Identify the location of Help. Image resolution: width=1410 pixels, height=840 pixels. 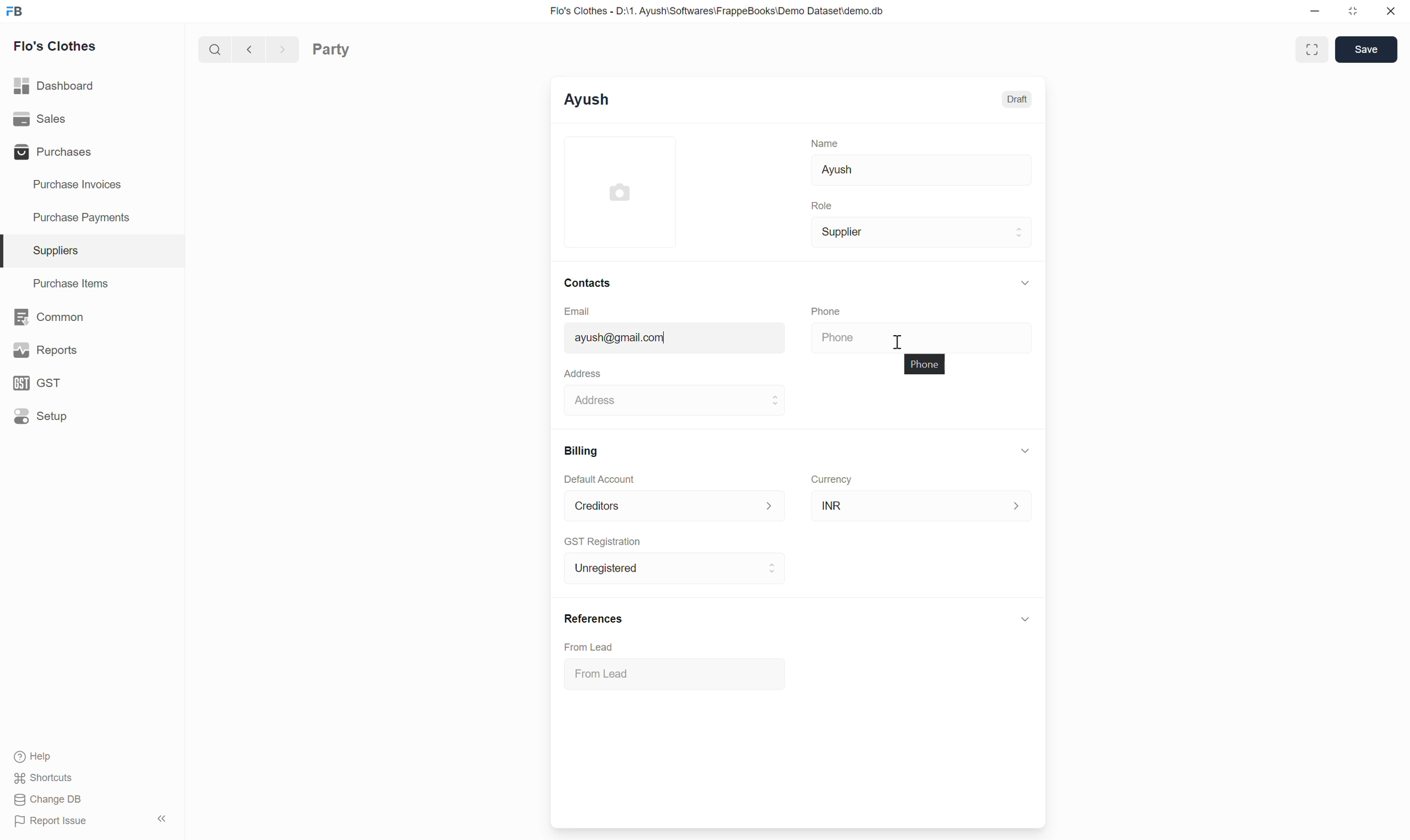
(44, 757).